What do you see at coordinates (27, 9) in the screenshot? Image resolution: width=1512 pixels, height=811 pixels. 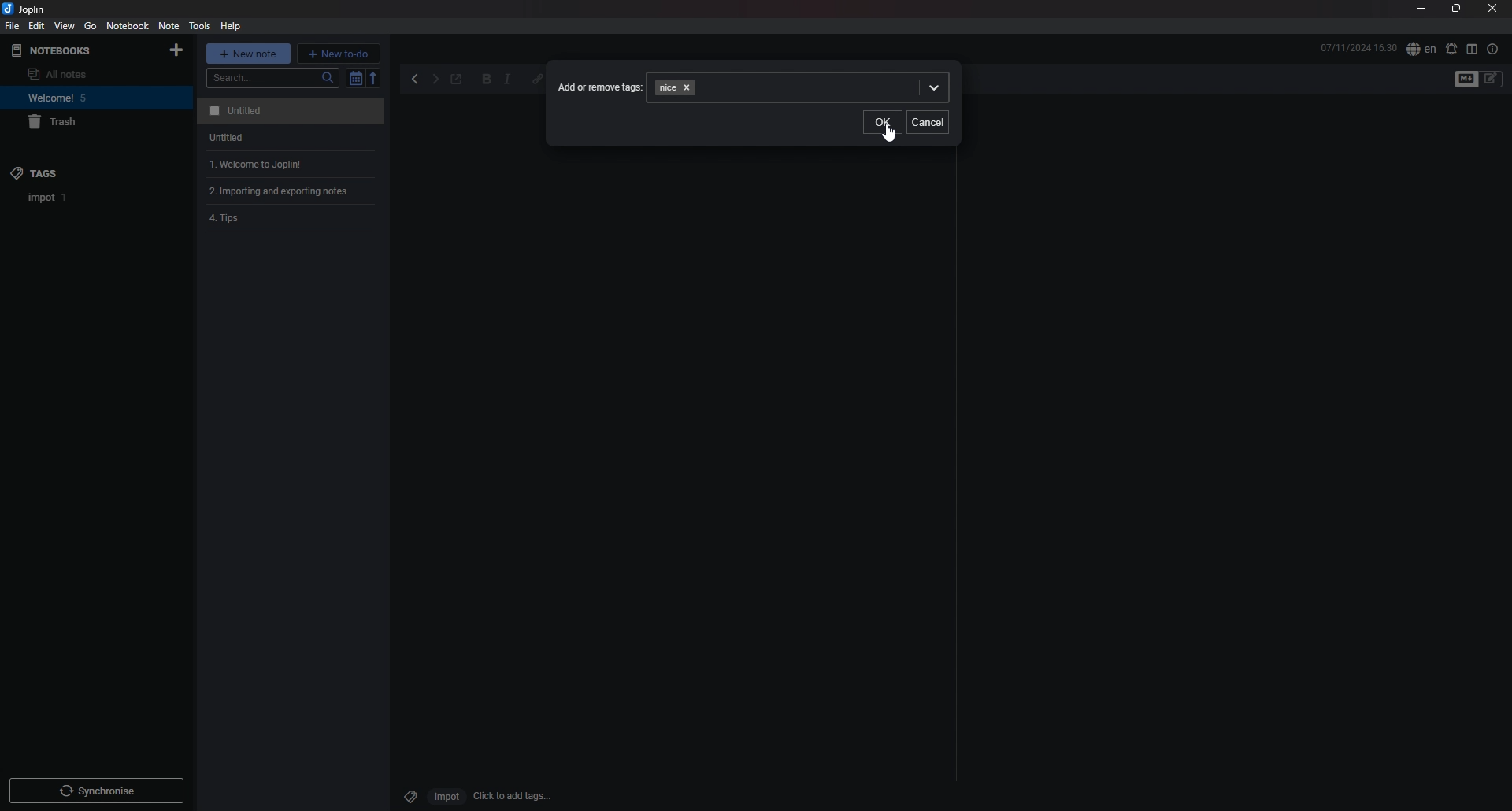 I see `joplin` at bounding box center [27, 9].